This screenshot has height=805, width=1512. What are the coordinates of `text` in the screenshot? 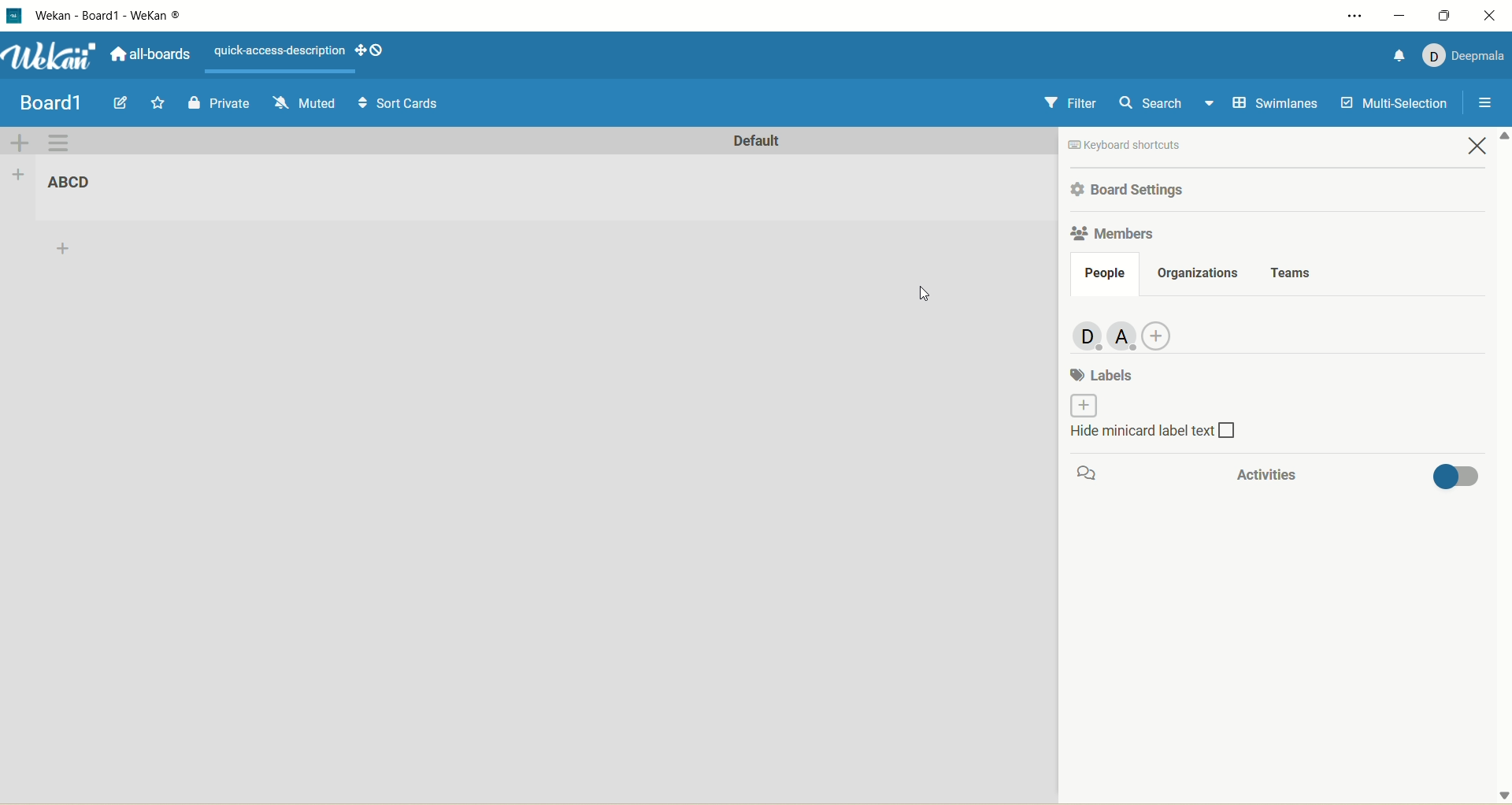 It's located at (276, 49).